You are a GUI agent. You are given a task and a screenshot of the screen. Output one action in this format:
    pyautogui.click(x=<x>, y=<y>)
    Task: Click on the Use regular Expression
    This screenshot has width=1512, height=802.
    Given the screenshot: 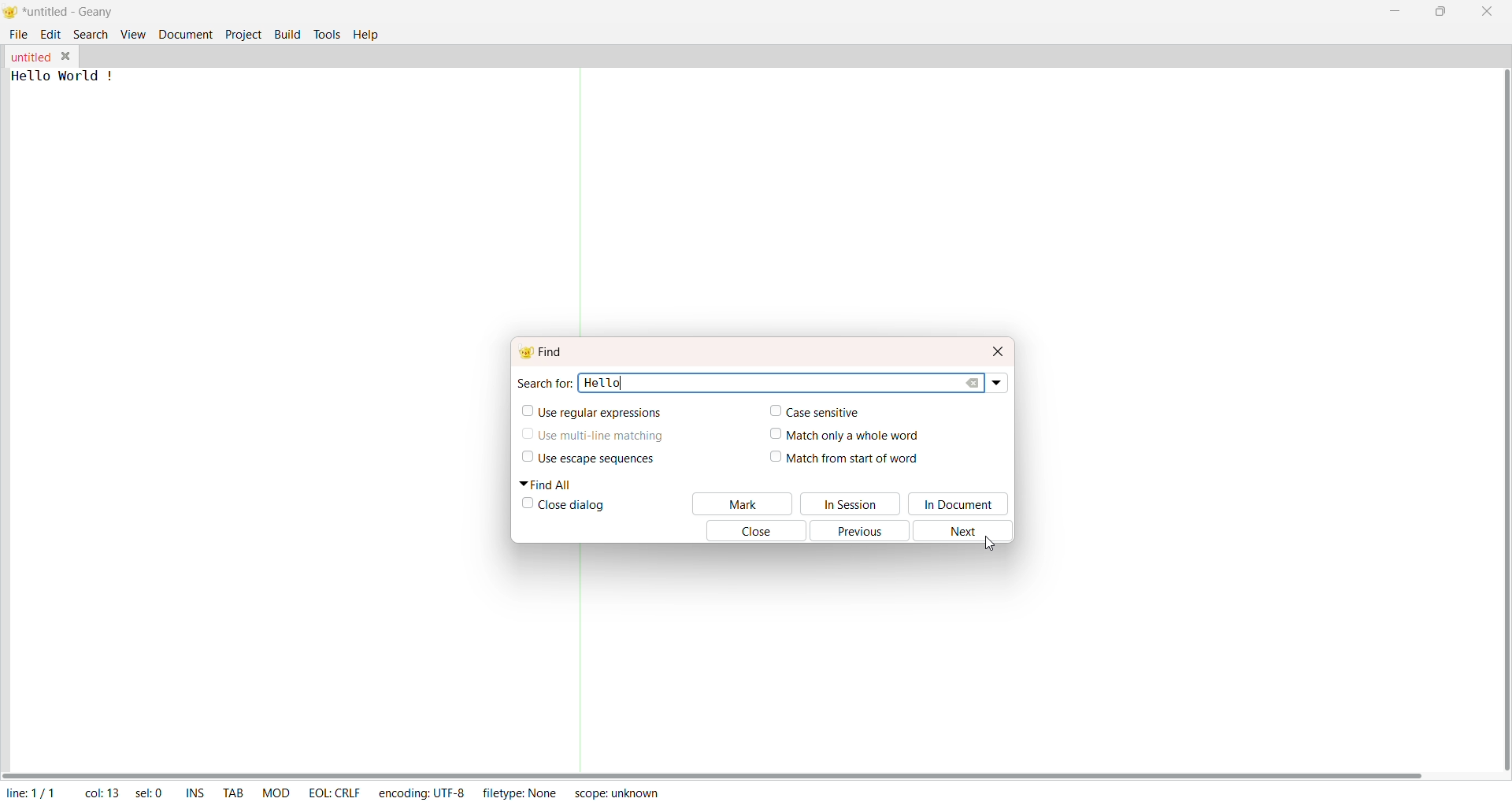 What is the action you would take?
    pyautogui.click(x=601, y=414)
    